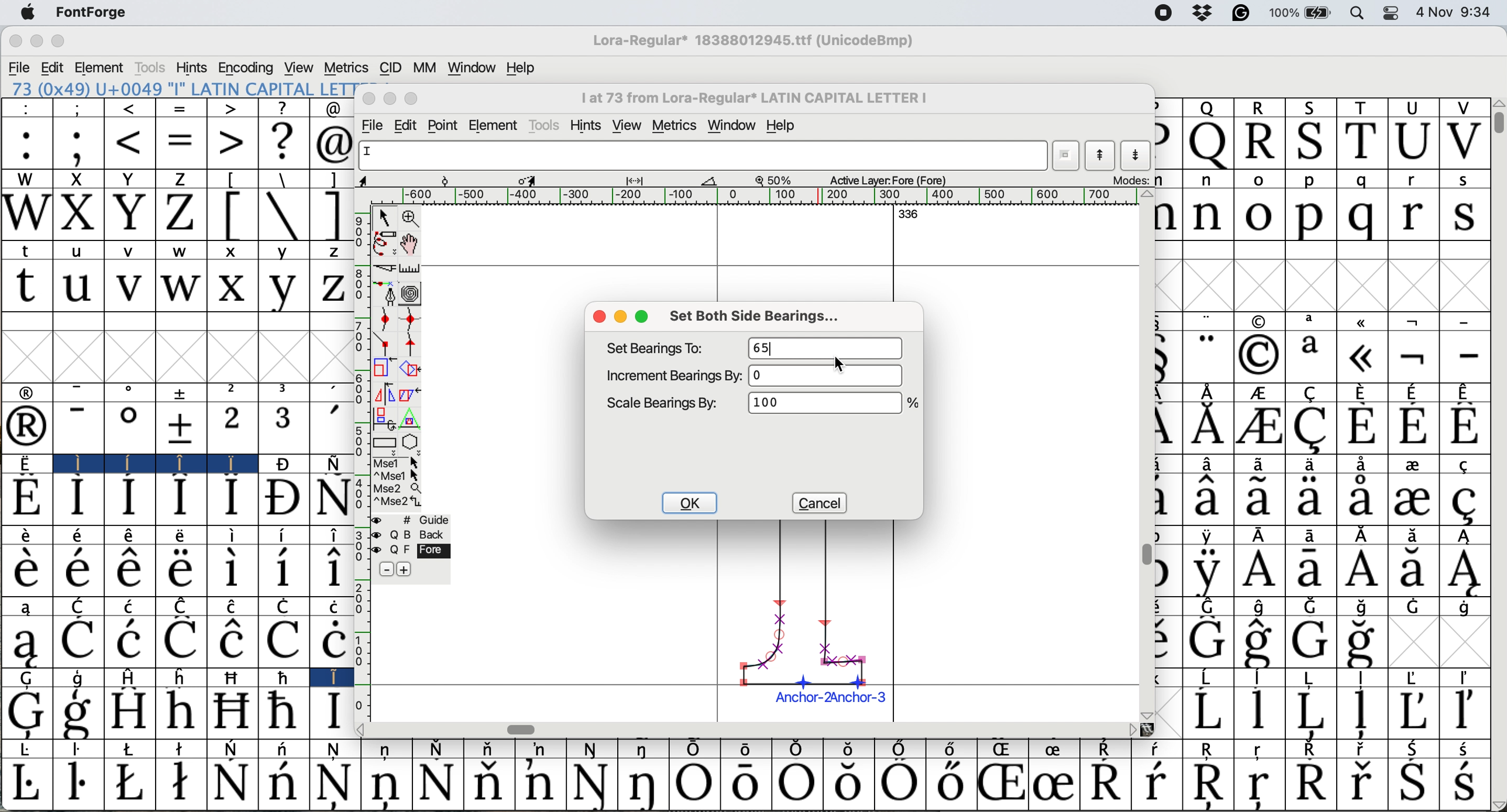 The image size is (1507, 812). I want to click on Symbol, so click(285, 677).